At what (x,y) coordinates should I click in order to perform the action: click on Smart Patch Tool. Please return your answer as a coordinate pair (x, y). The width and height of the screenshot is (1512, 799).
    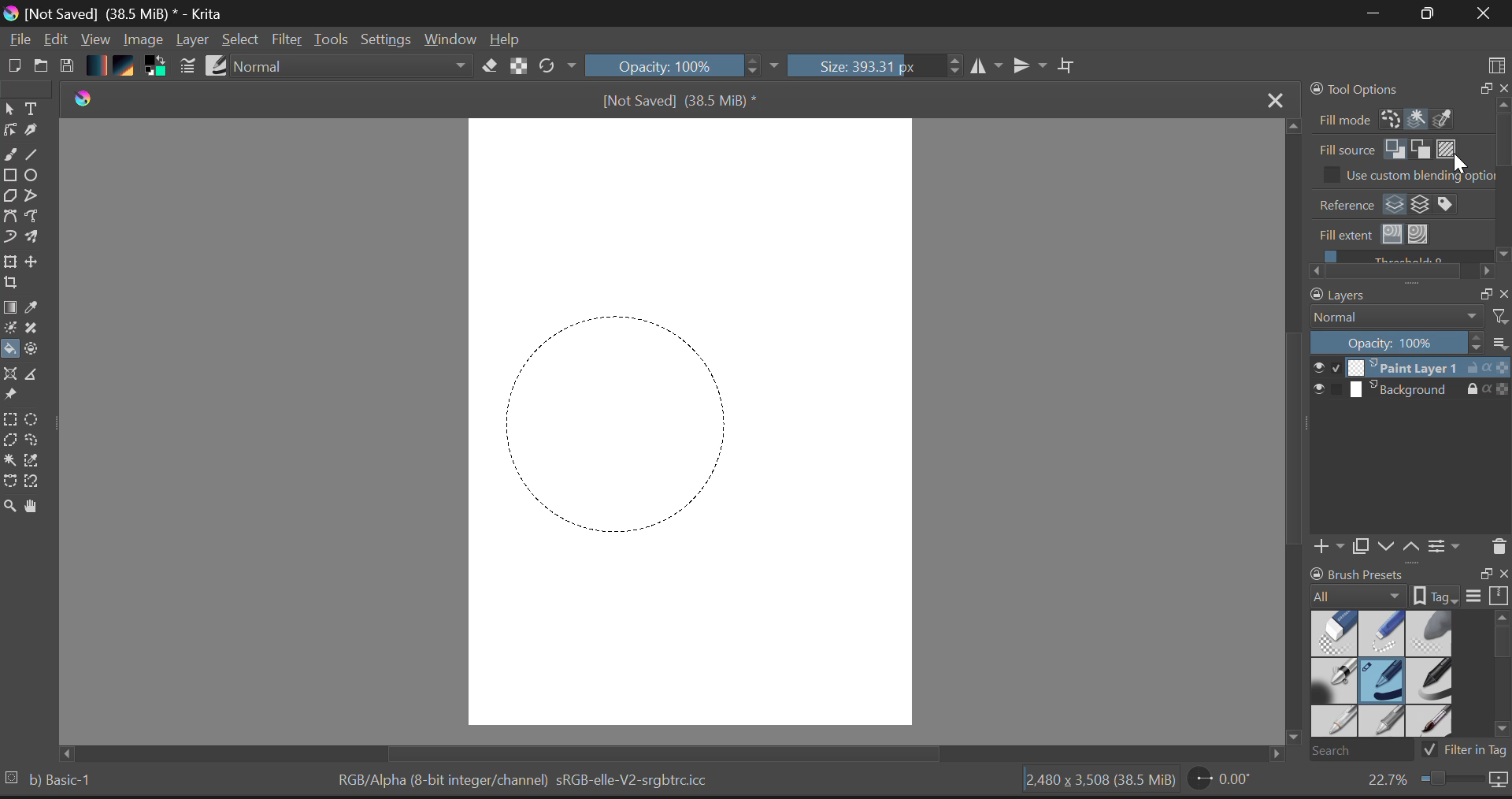
    Looking at the image, I should click on (34, 331).